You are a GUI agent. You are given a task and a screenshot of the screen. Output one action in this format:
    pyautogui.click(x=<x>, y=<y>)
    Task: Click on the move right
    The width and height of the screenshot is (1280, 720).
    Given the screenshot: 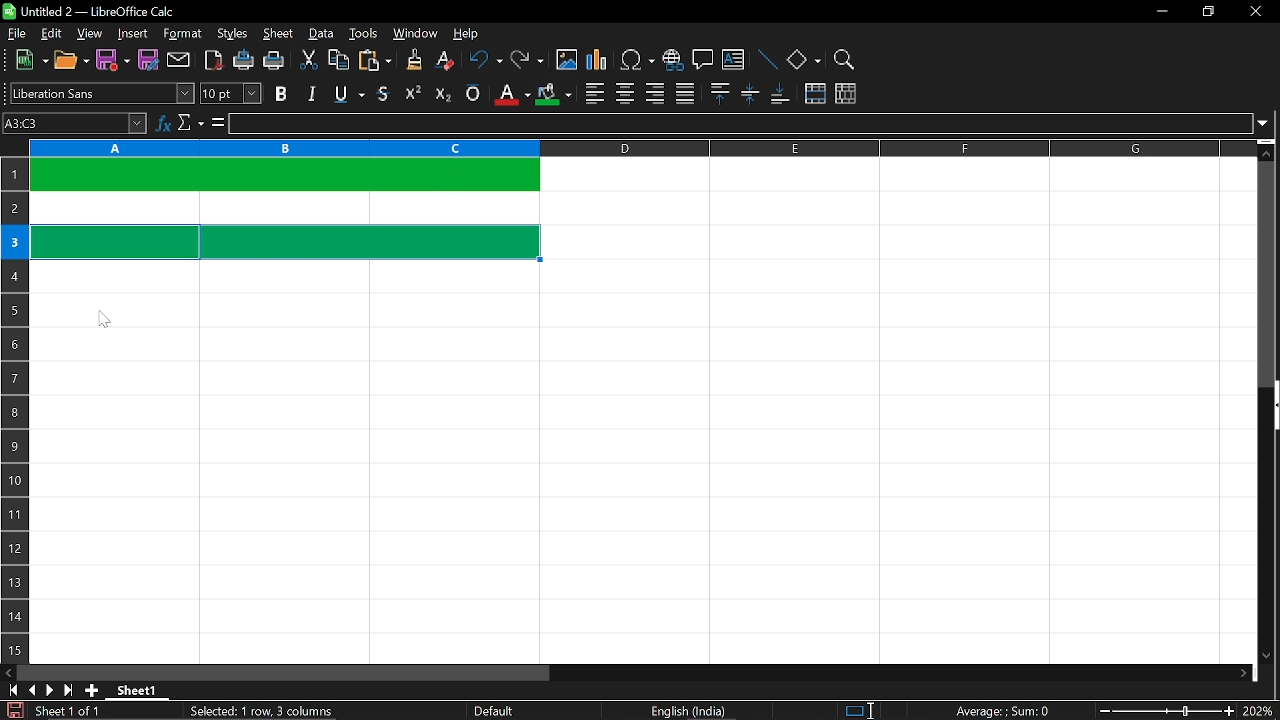 What is the action you would take?
    pyautogui.click(x=1245, y=672)
    